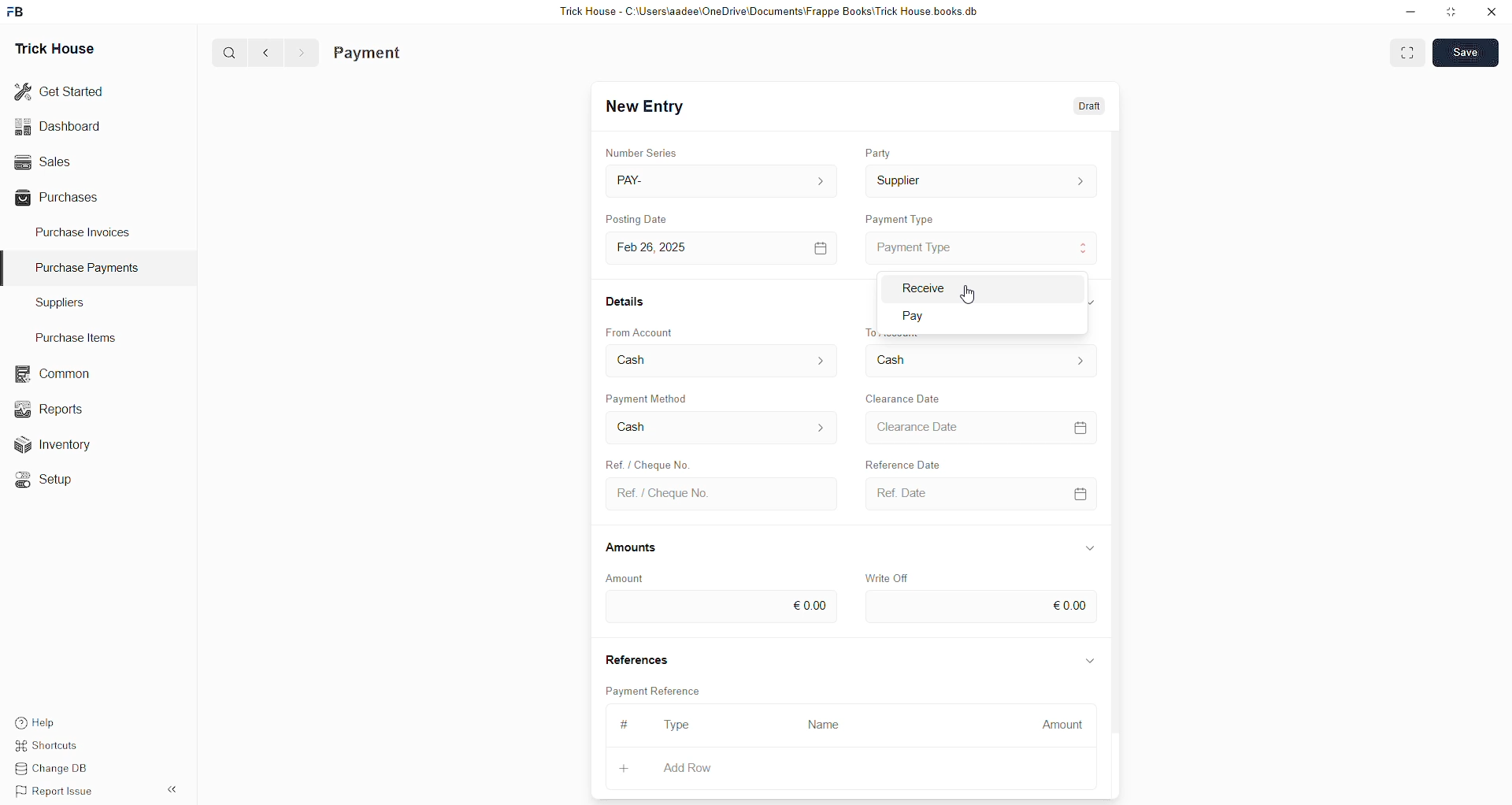 The width and height of the screenshot is (1512, 805). I want to click on Pay, so click(915, 318).